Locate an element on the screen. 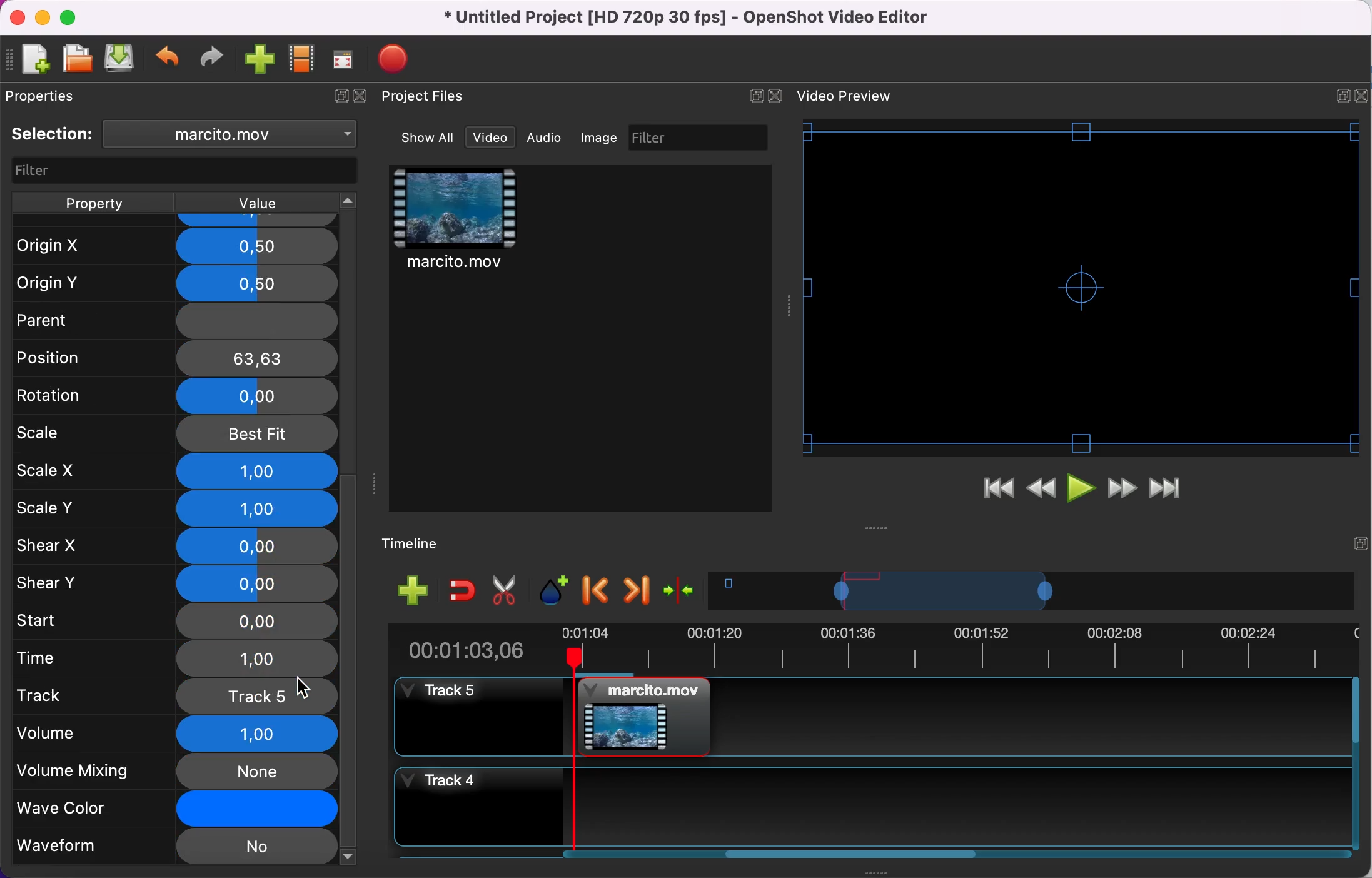 This screenshot has width=1372, height=878. scale x 1 is located at coordinates (176, 472).